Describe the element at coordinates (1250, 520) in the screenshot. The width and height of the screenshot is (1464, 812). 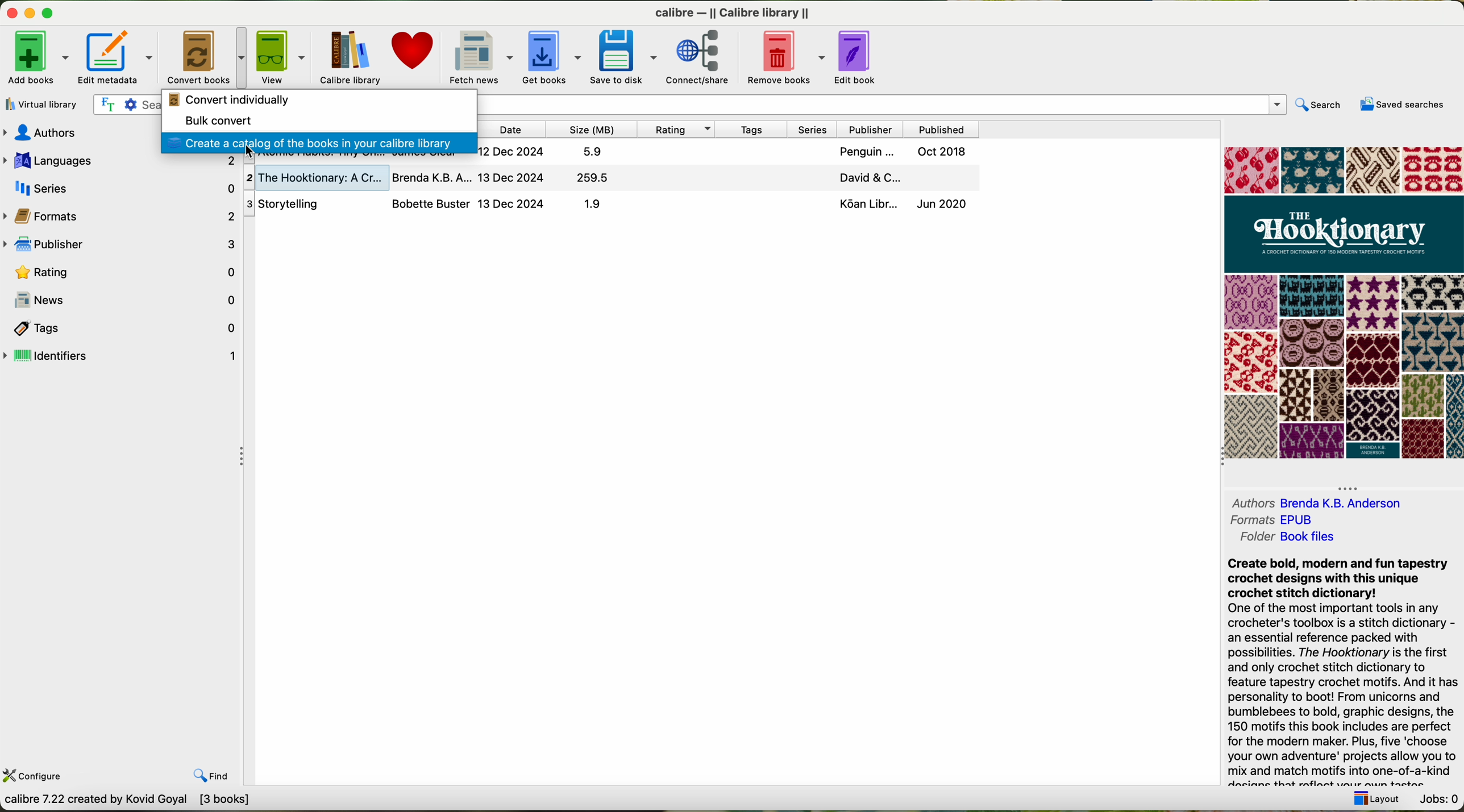
I see `formats` at that location.